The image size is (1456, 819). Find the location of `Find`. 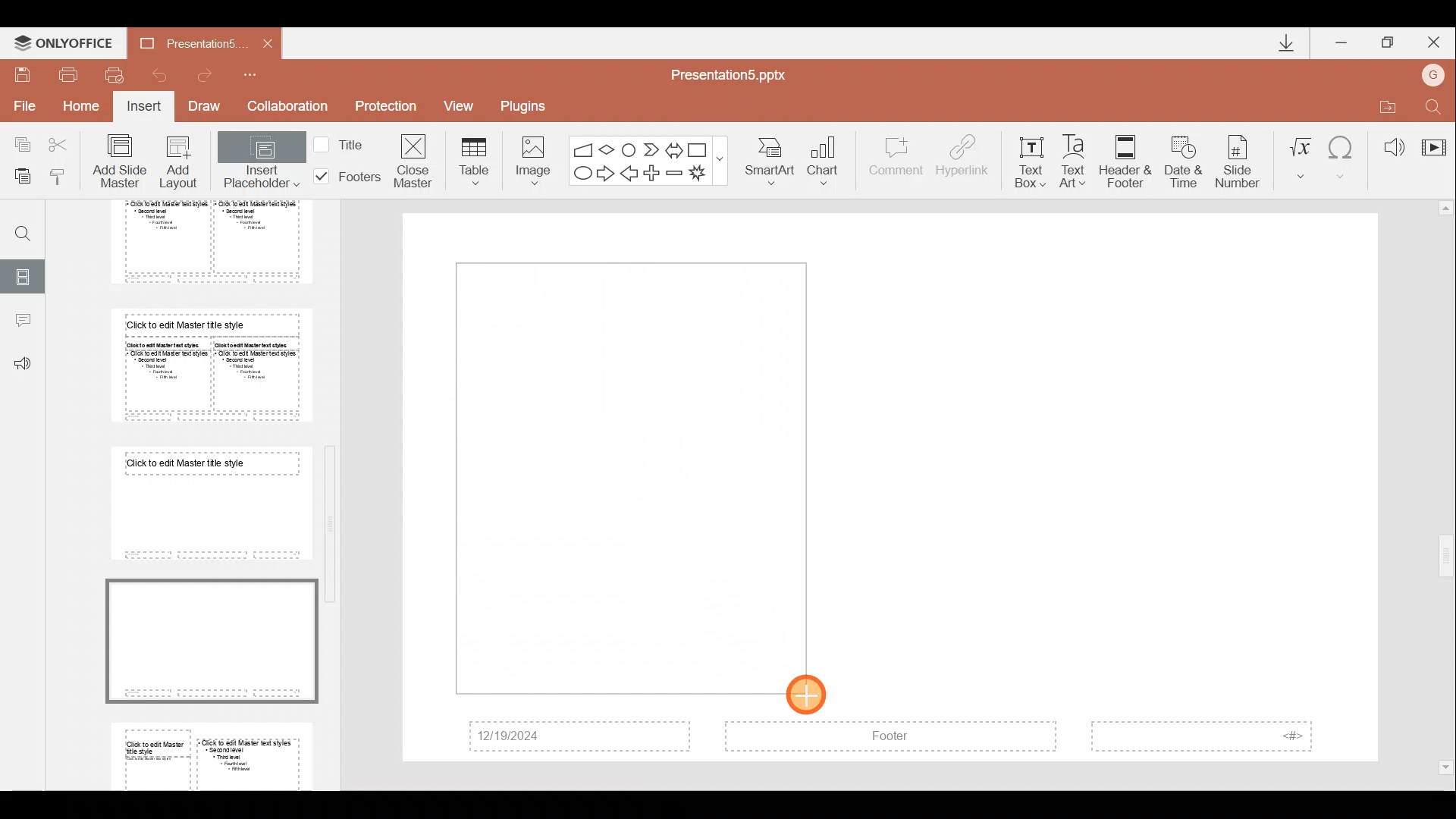

Find is located at coordinates (17, 227).